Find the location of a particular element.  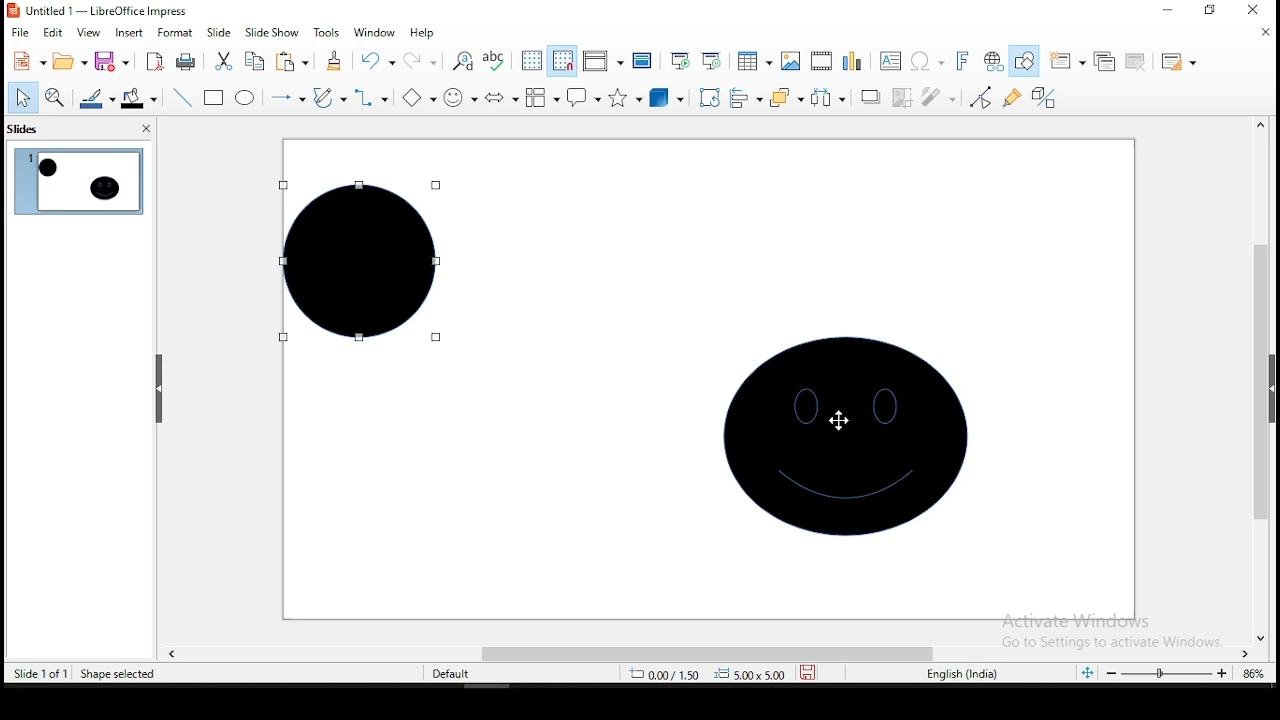

zoom slider is located at coordinates (1161, 675).